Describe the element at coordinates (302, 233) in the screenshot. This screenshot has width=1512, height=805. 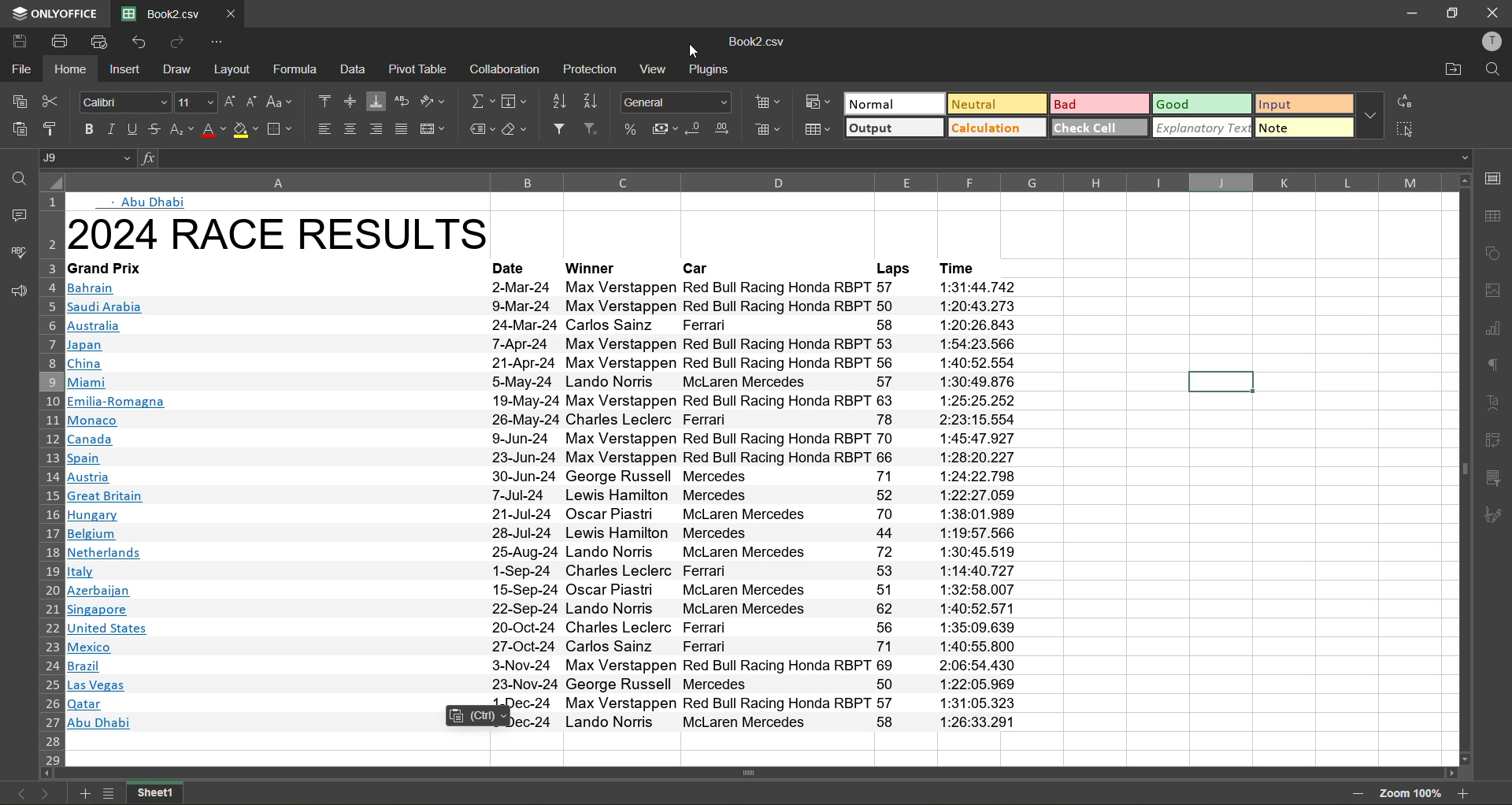
I see `heading` at that location.